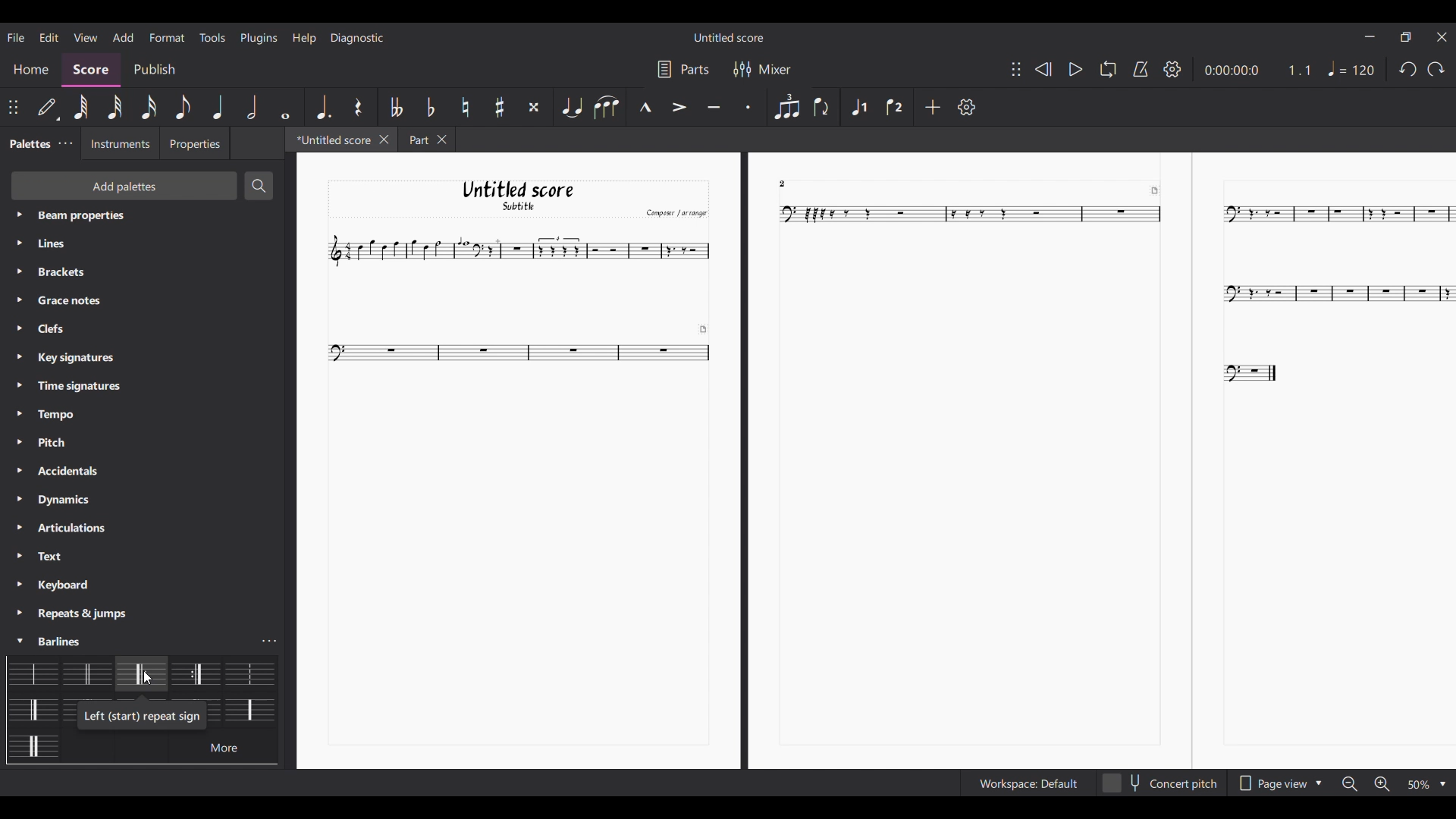 This screenshot has height=819, width=1456. What do you see at coordinates (1075, 69) in the screenshot?
I see `Play` at bounding box center [1075, 69].